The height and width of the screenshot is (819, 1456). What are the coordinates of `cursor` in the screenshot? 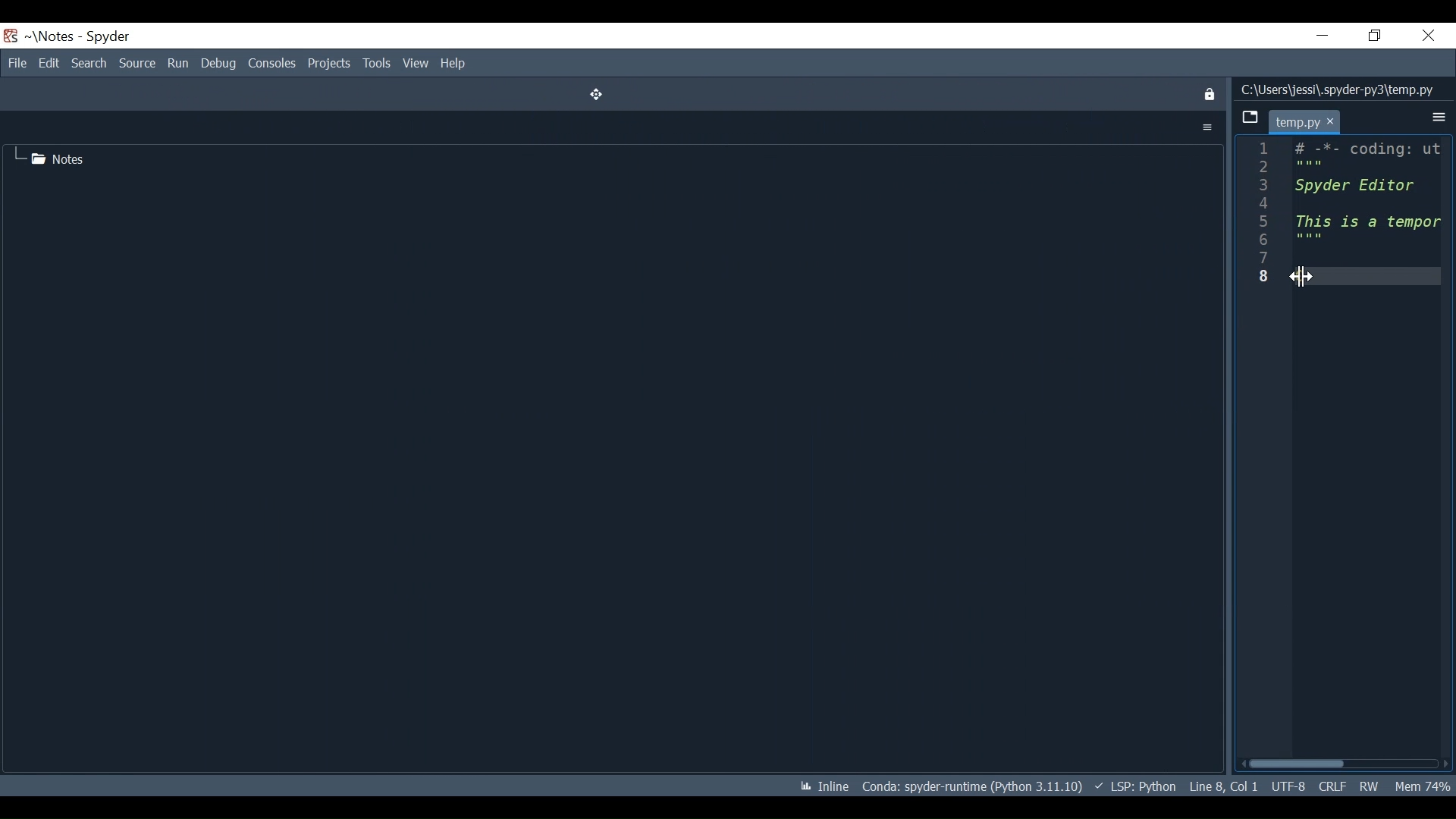 It's located at (1333, 121).